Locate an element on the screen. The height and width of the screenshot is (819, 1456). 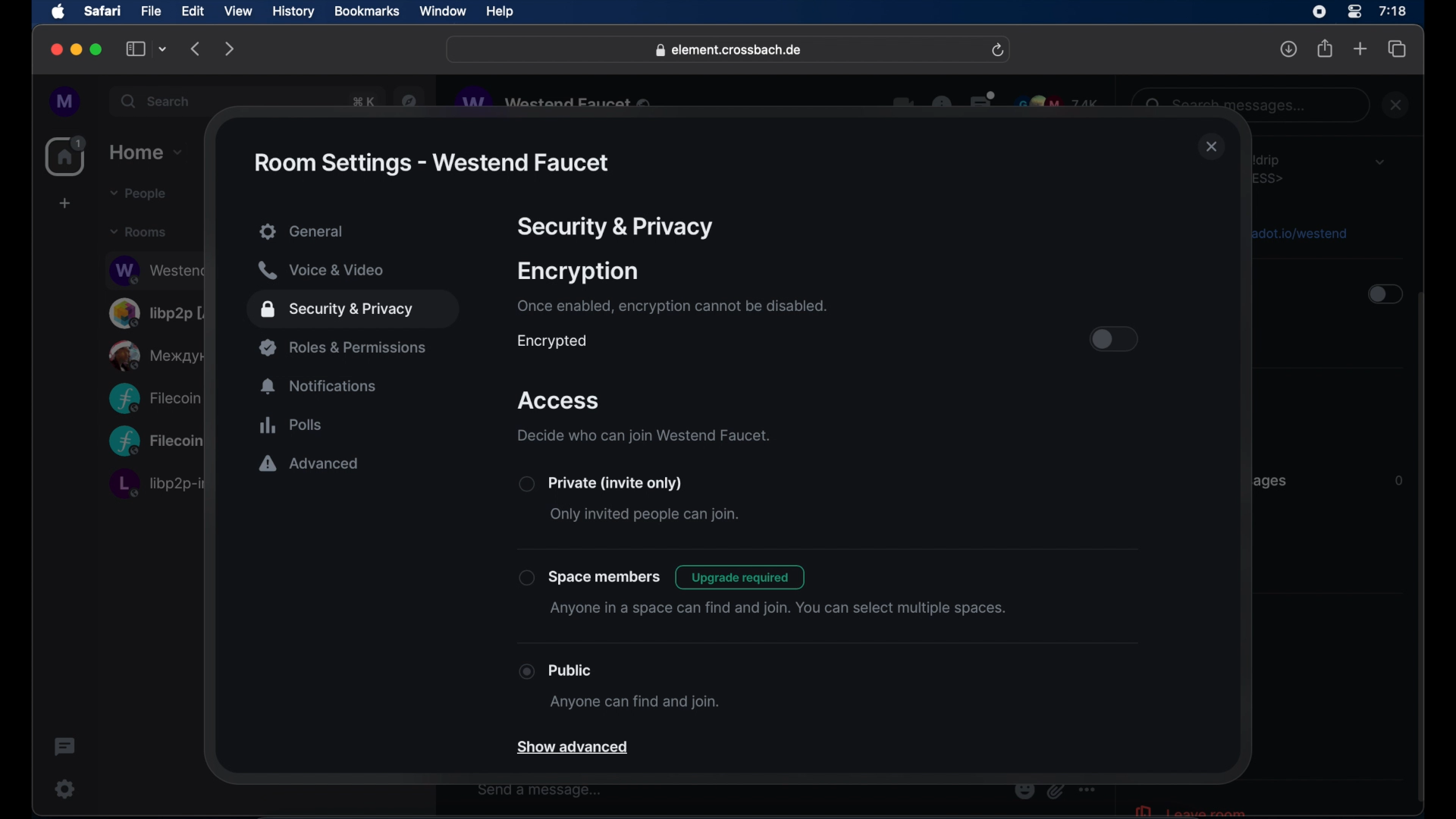
advanced is located at coordinates (309, 465).